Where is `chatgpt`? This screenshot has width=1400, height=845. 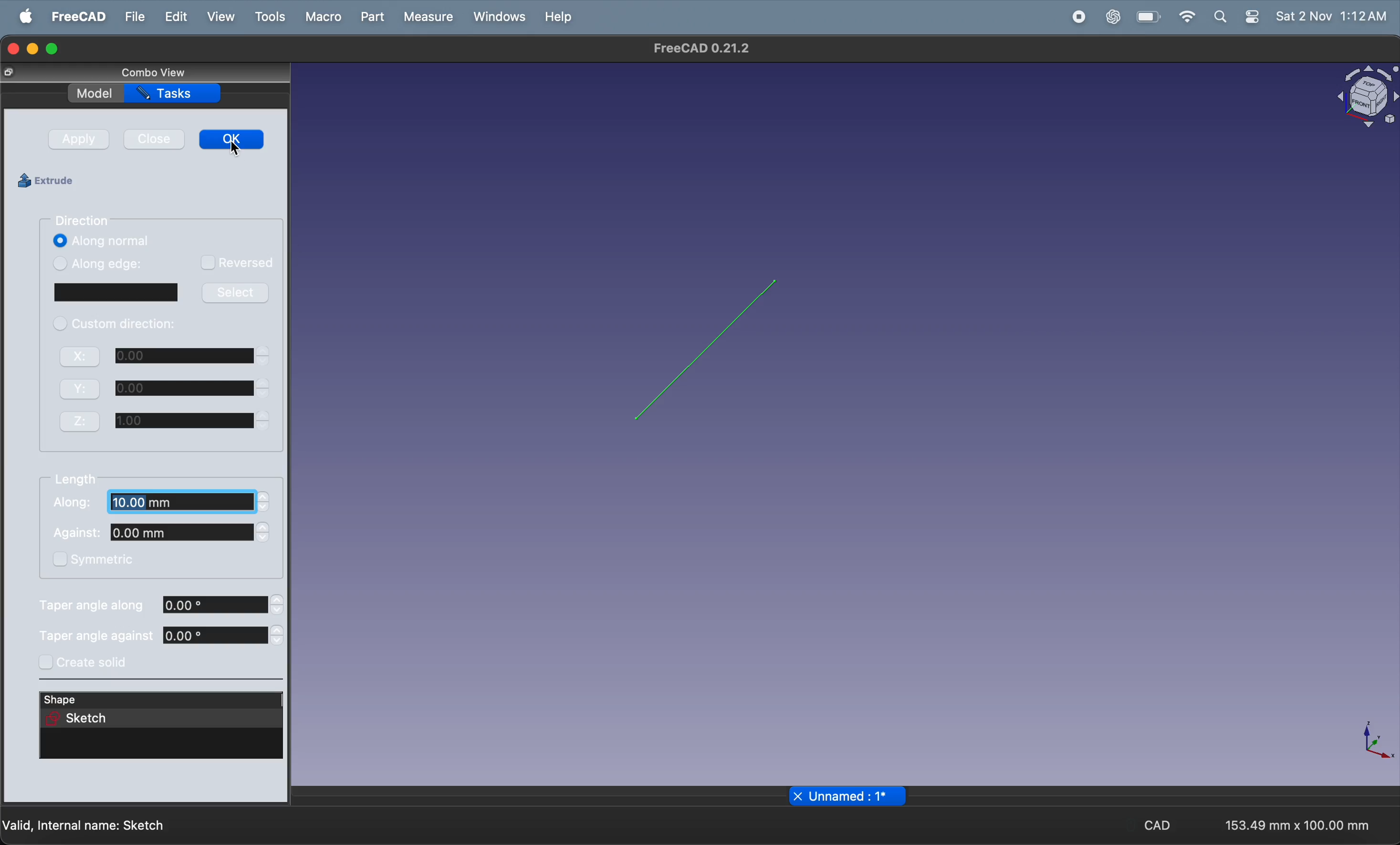 chatgpt is located at coordinates (1112, 17).